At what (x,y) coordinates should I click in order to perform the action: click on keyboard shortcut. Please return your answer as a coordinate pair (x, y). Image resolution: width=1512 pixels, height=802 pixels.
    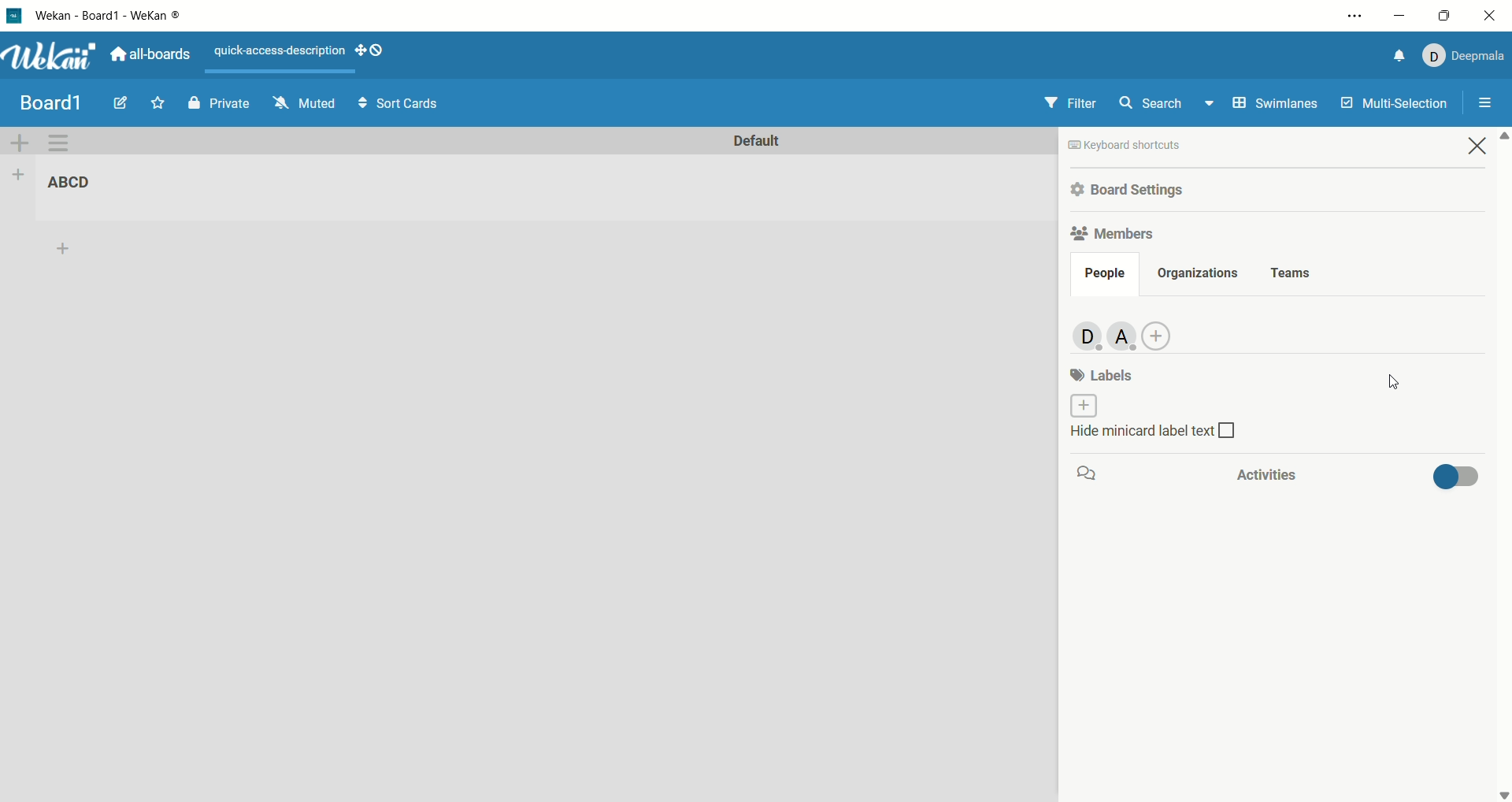
    Looking at the image, I should click on (1125, 147).